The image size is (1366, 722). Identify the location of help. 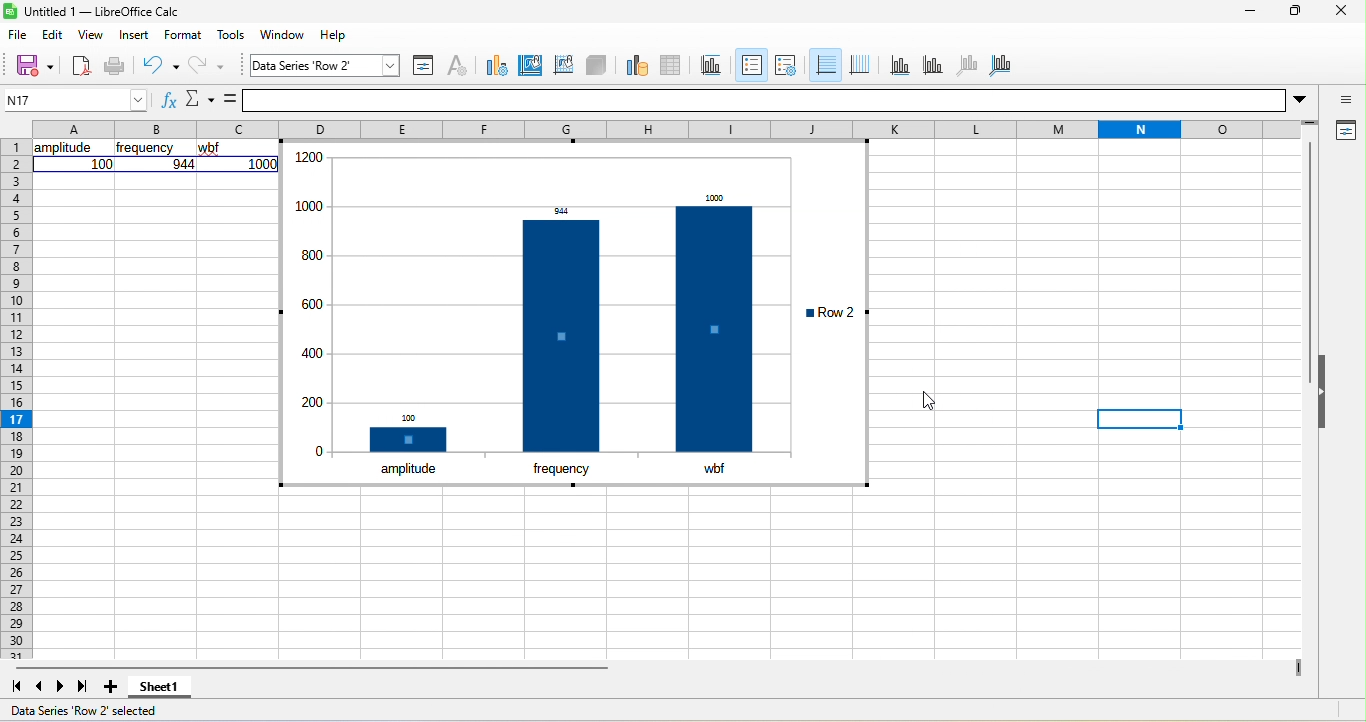
(327, 36).